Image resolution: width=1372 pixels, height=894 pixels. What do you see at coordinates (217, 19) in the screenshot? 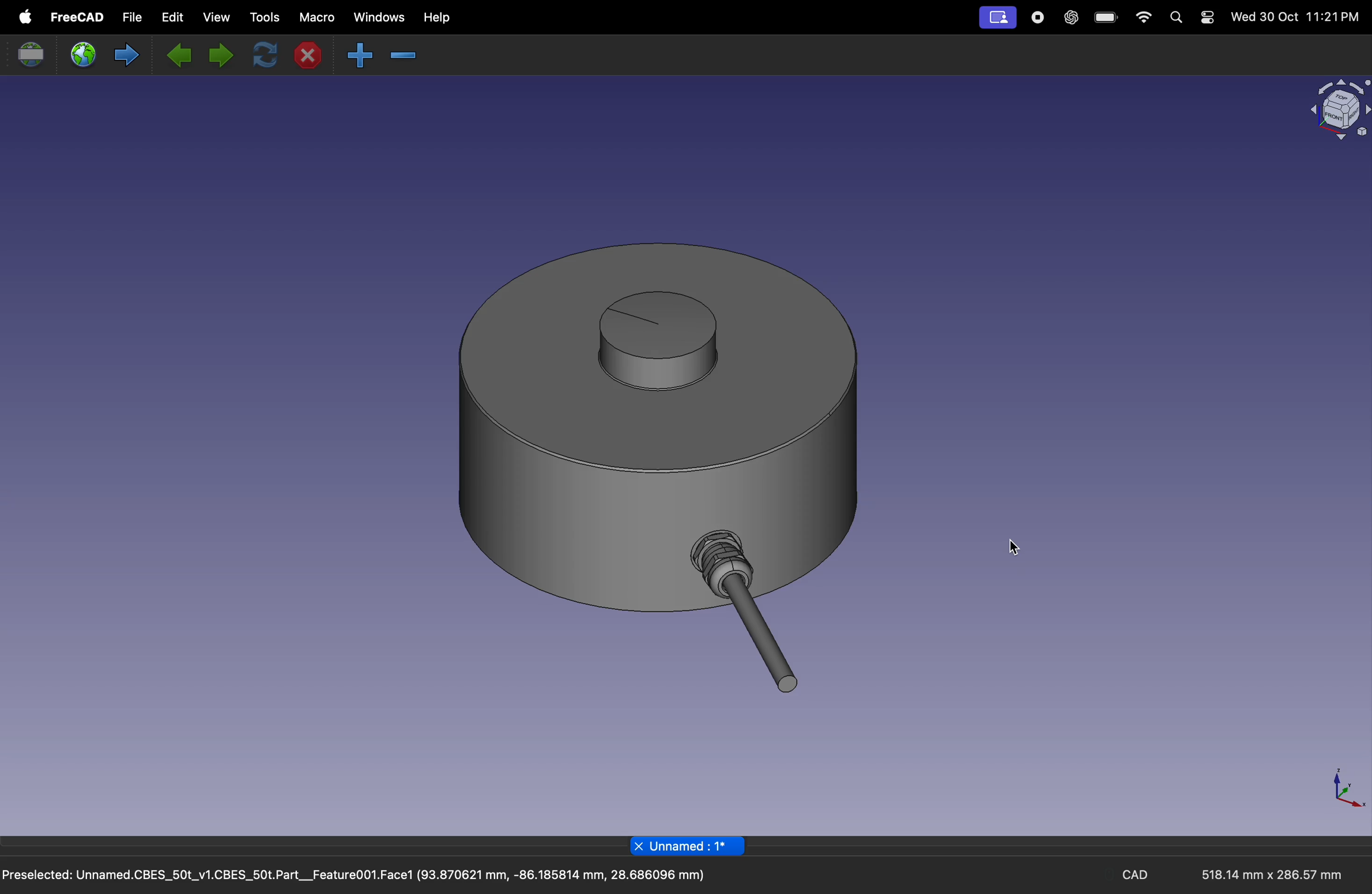
I see `view` at bounding box center [217, 19].